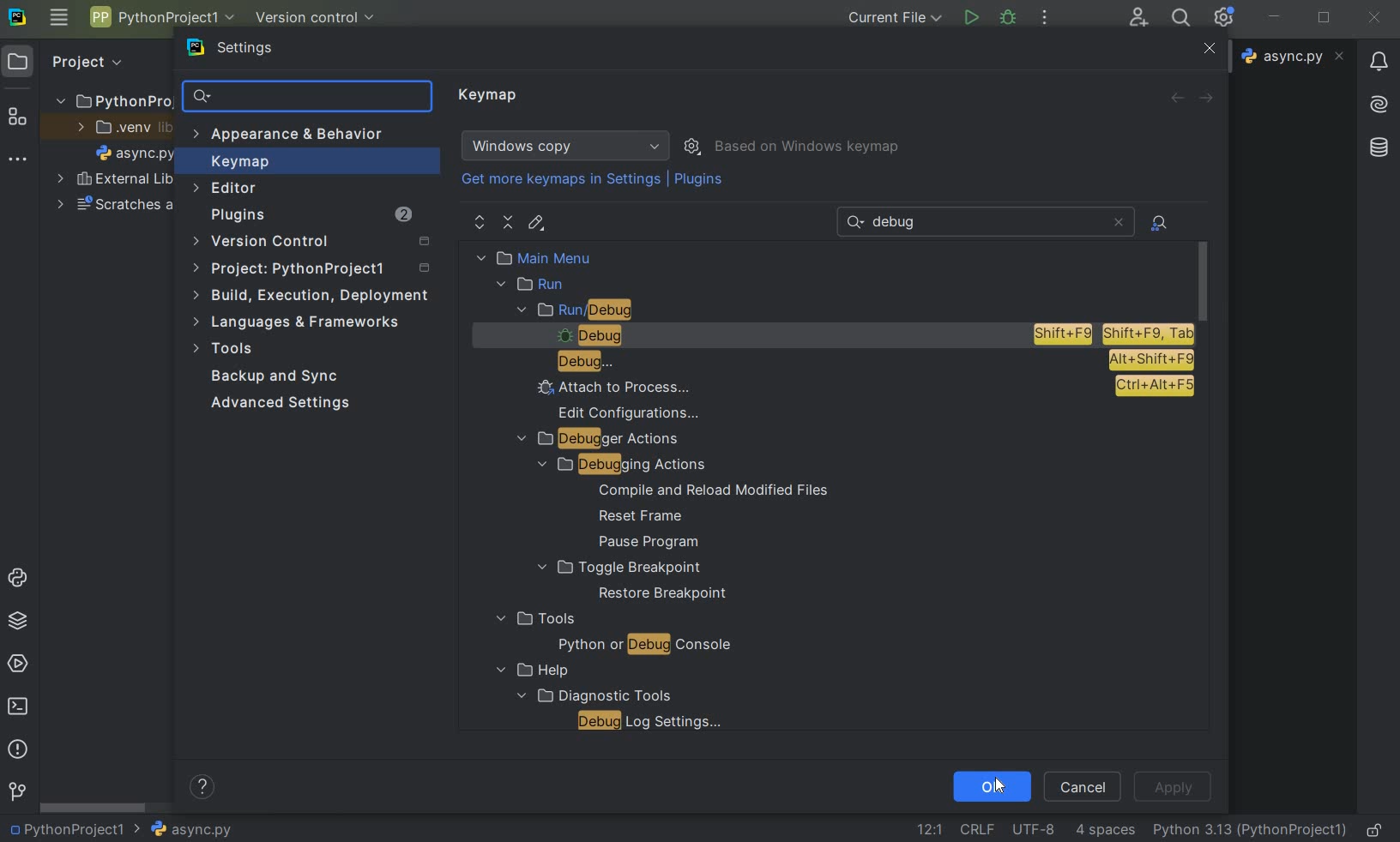  Describe the element at coordinates (1295, 56) in the screenshot. I see `file name` at that location.